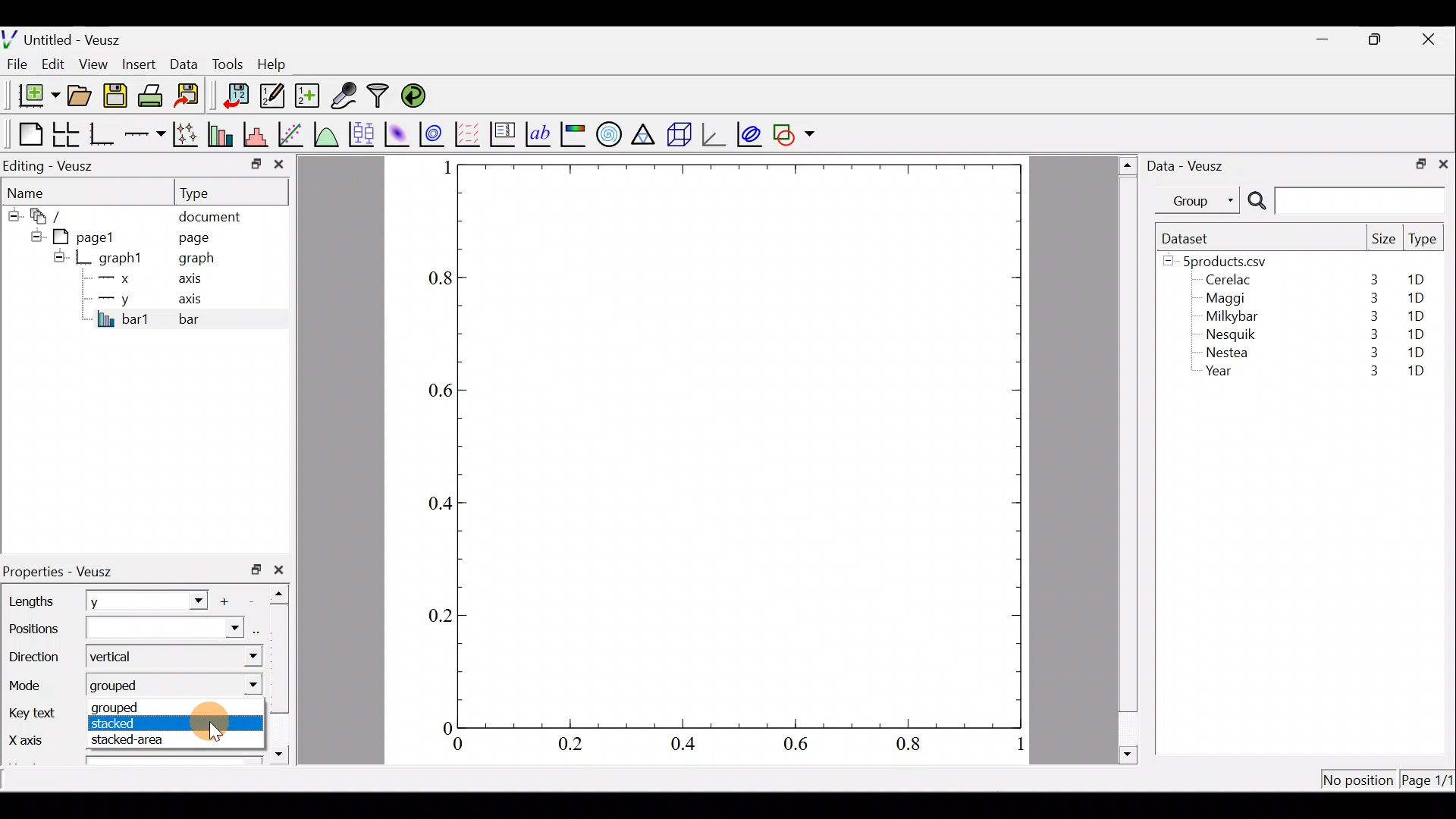  What do you see at coordinates (574, 133) in the screenshot?
I see `Image color bar` at bounding box center [574, 133].